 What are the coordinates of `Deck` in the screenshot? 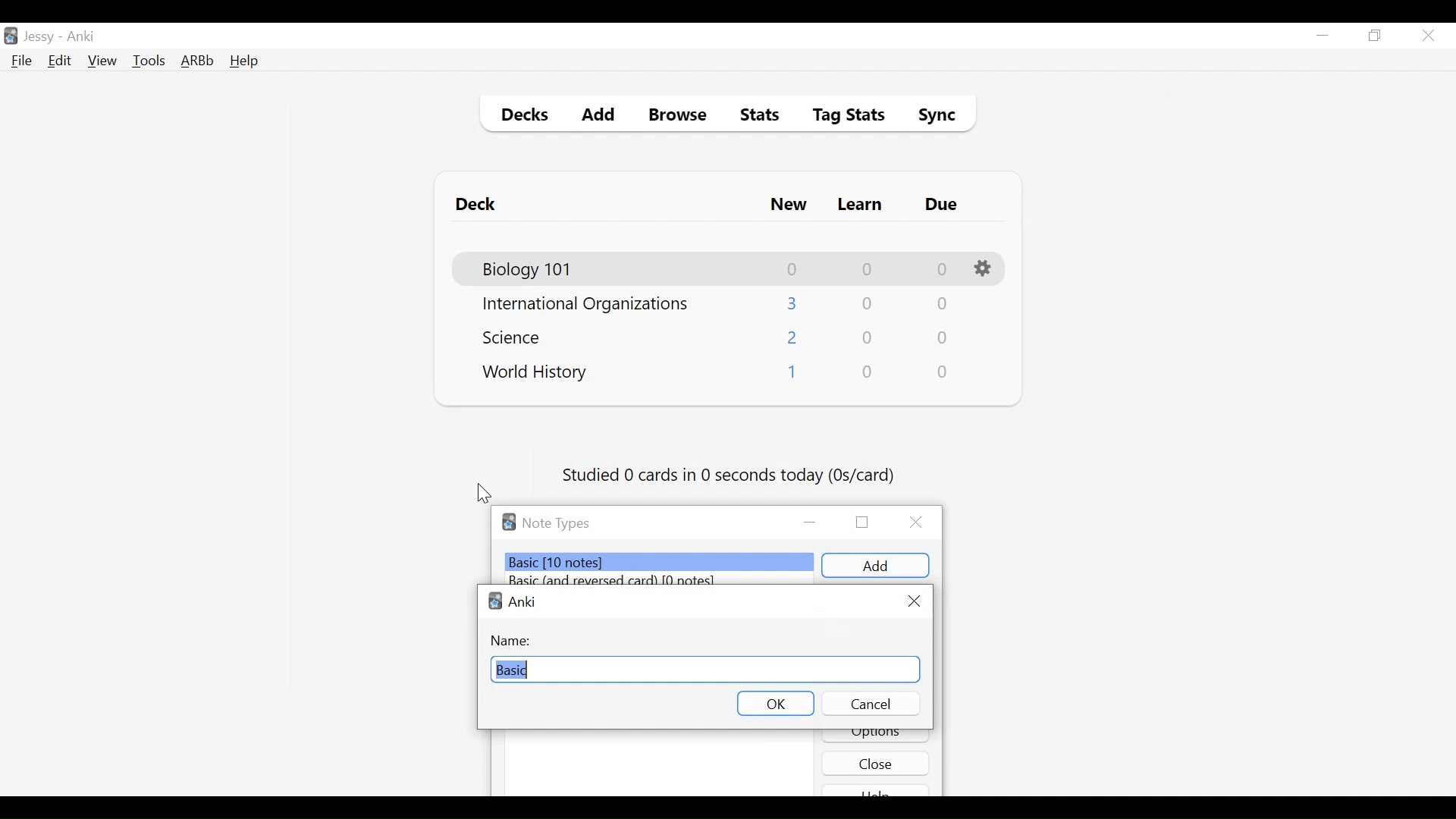 It's located at (479, 205).